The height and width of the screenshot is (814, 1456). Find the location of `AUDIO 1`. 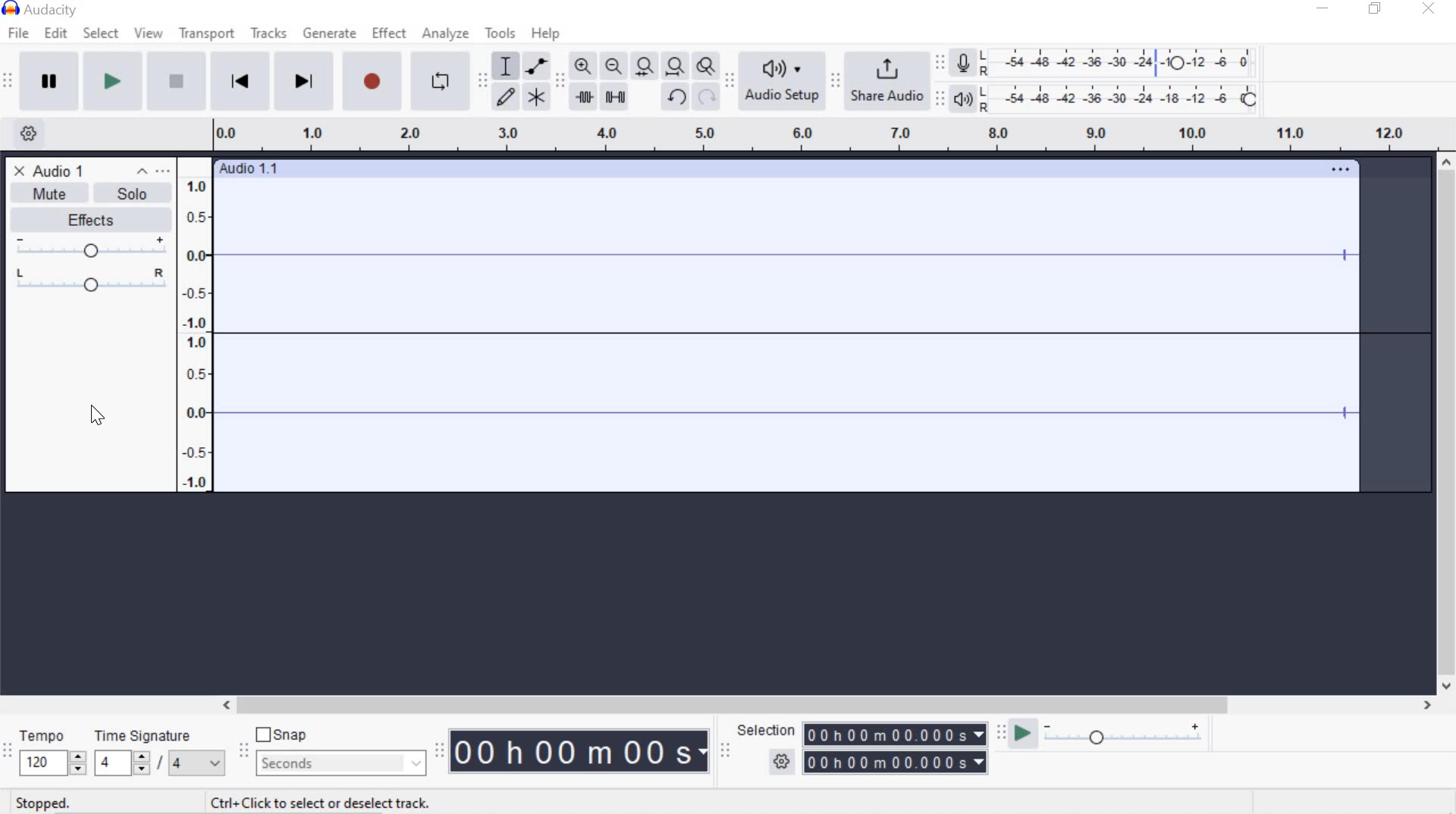

AUDIO 1 is located at coordinates (64, 170).